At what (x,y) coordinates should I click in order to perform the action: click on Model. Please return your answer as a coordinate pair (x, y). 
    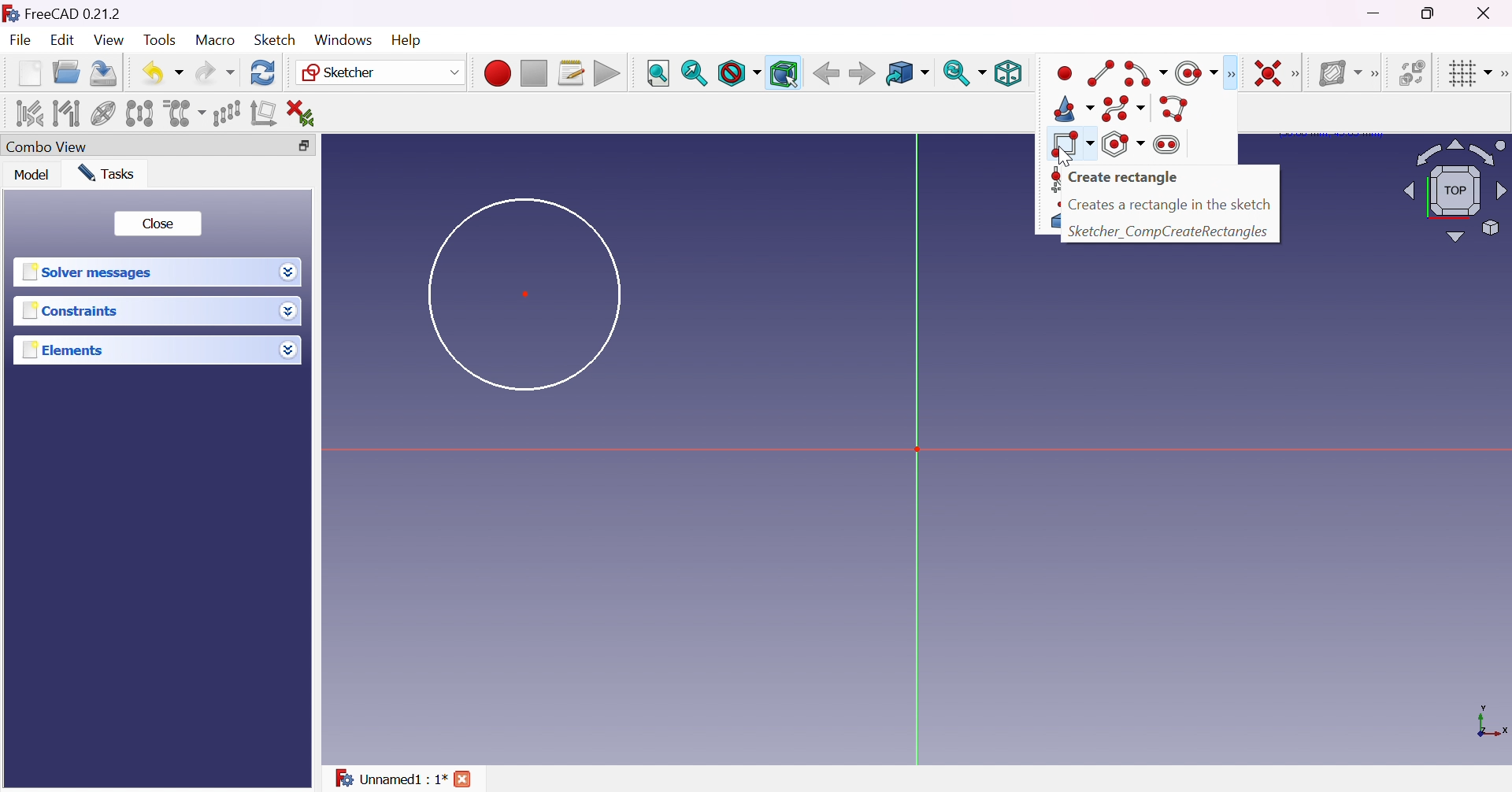
    Looking at the image, I should click on (31, 175).